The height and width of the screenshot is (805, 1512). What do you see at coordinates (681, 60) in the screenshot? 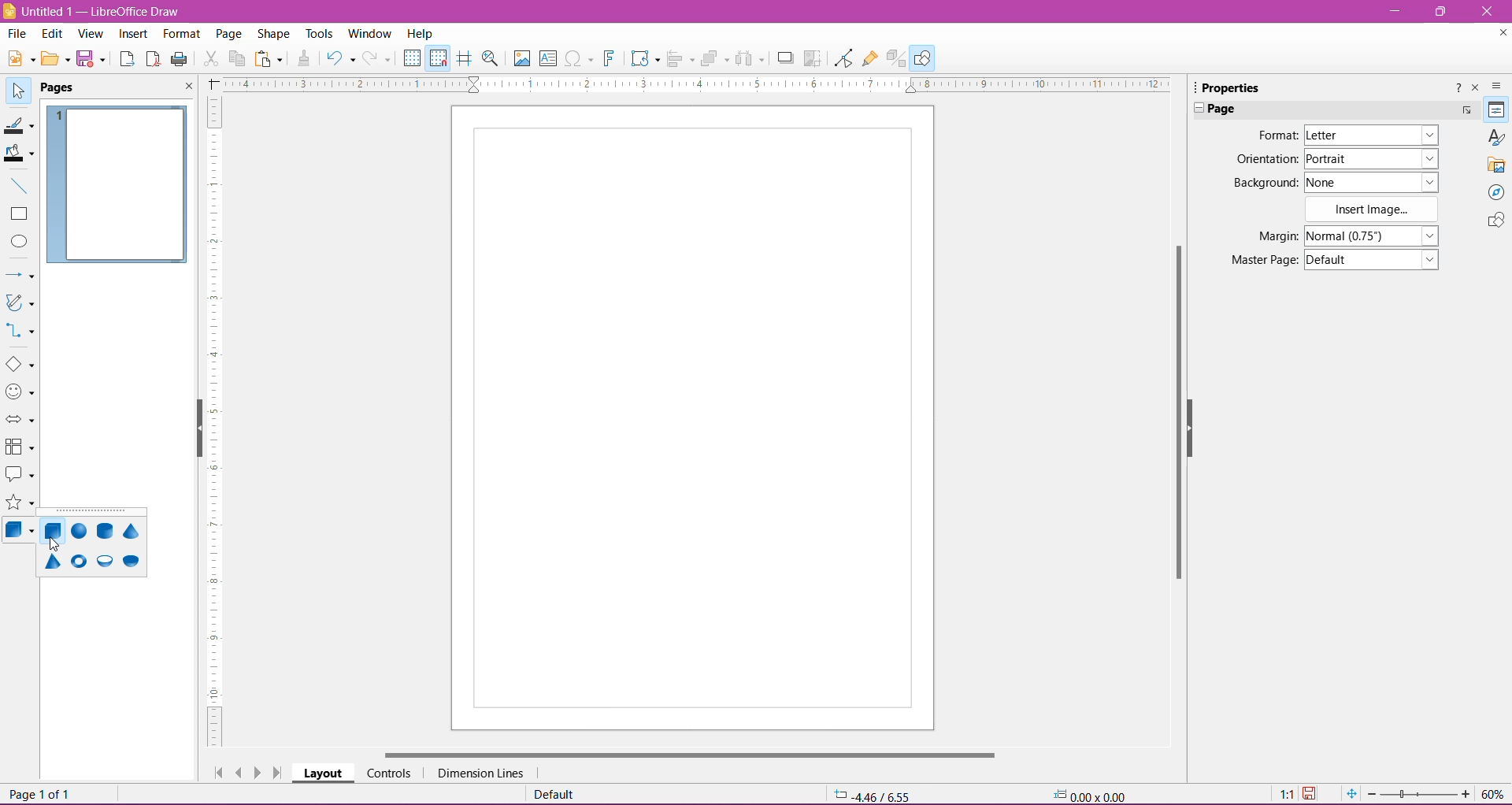
I see `Align` at bounding box center [681, 60].